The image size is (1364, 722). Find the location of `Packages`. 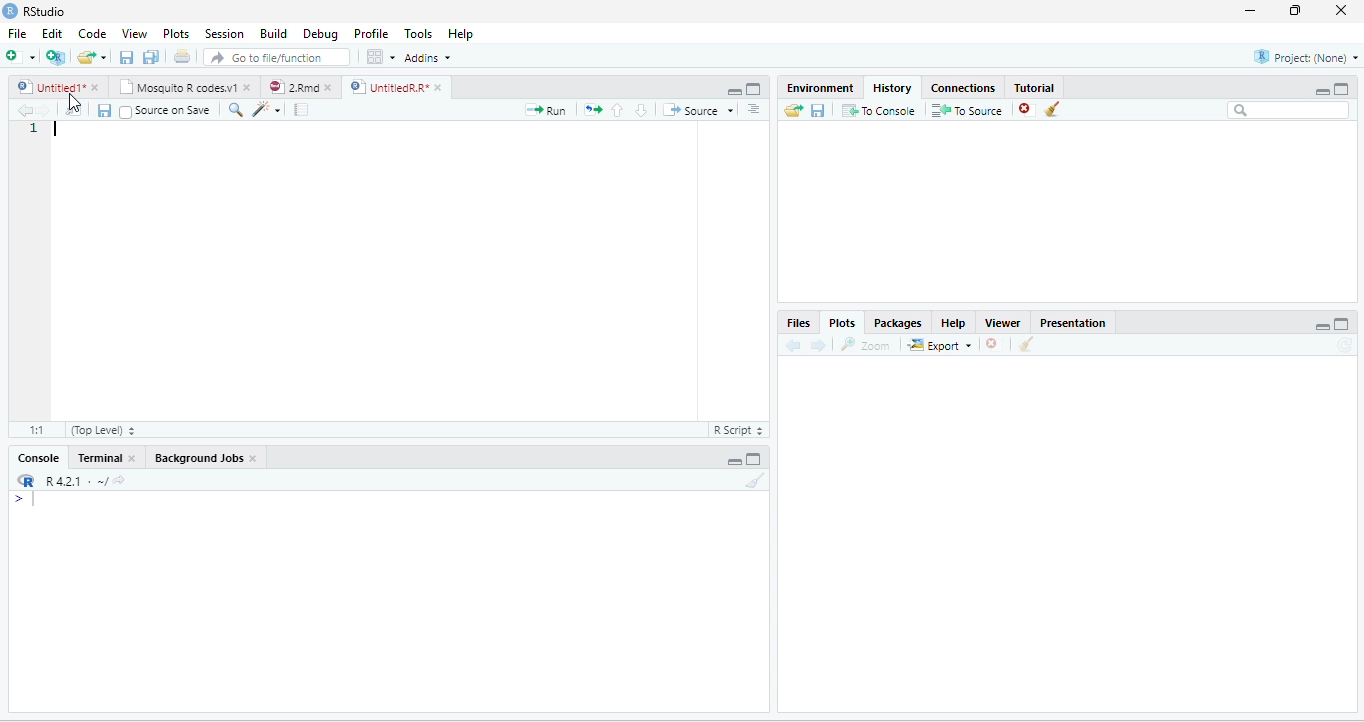

Packages is located at coordinates (896, 322).